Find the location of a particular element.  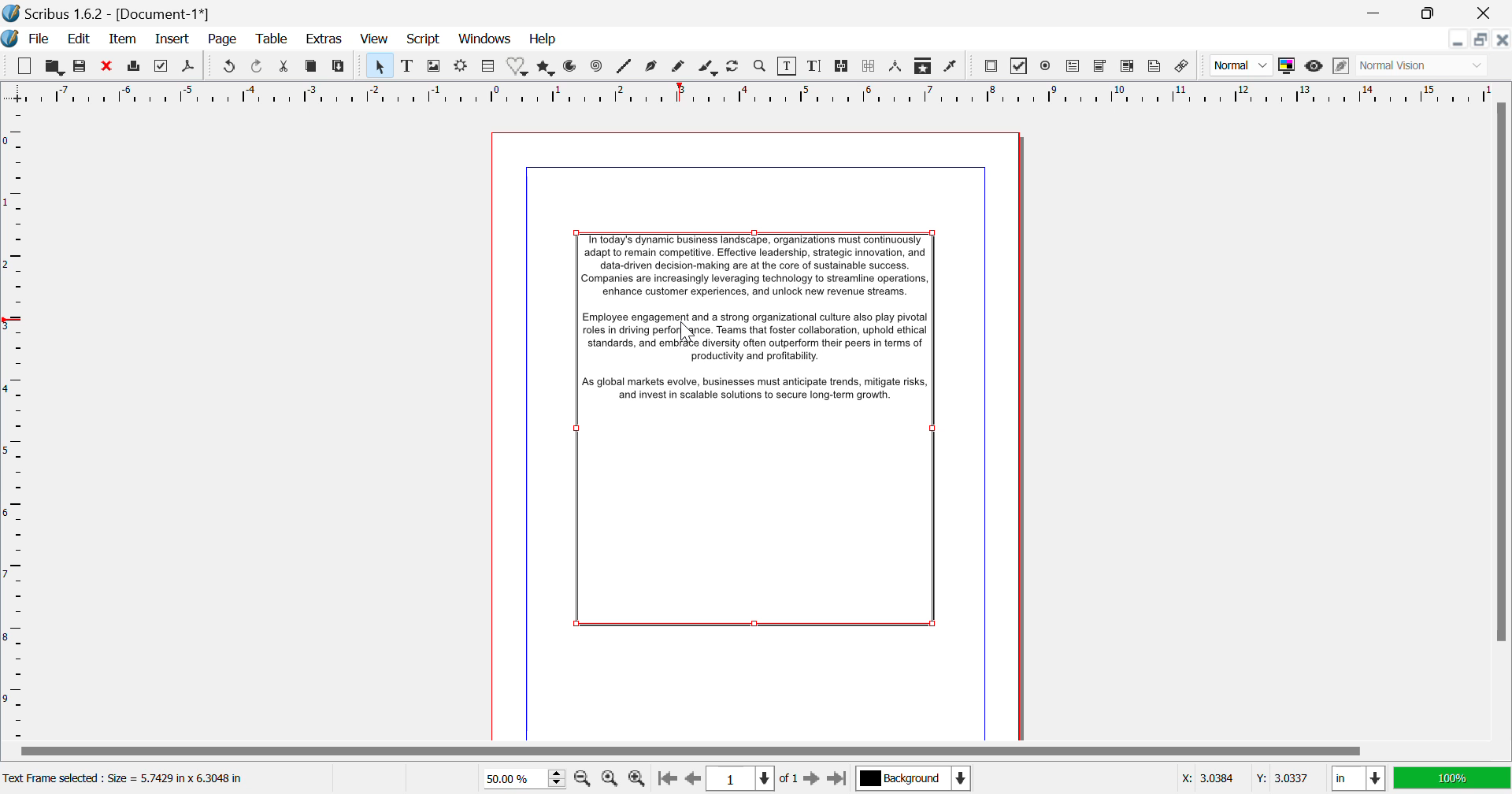

Pdf Combo box is located at coordinates (1101, 64).